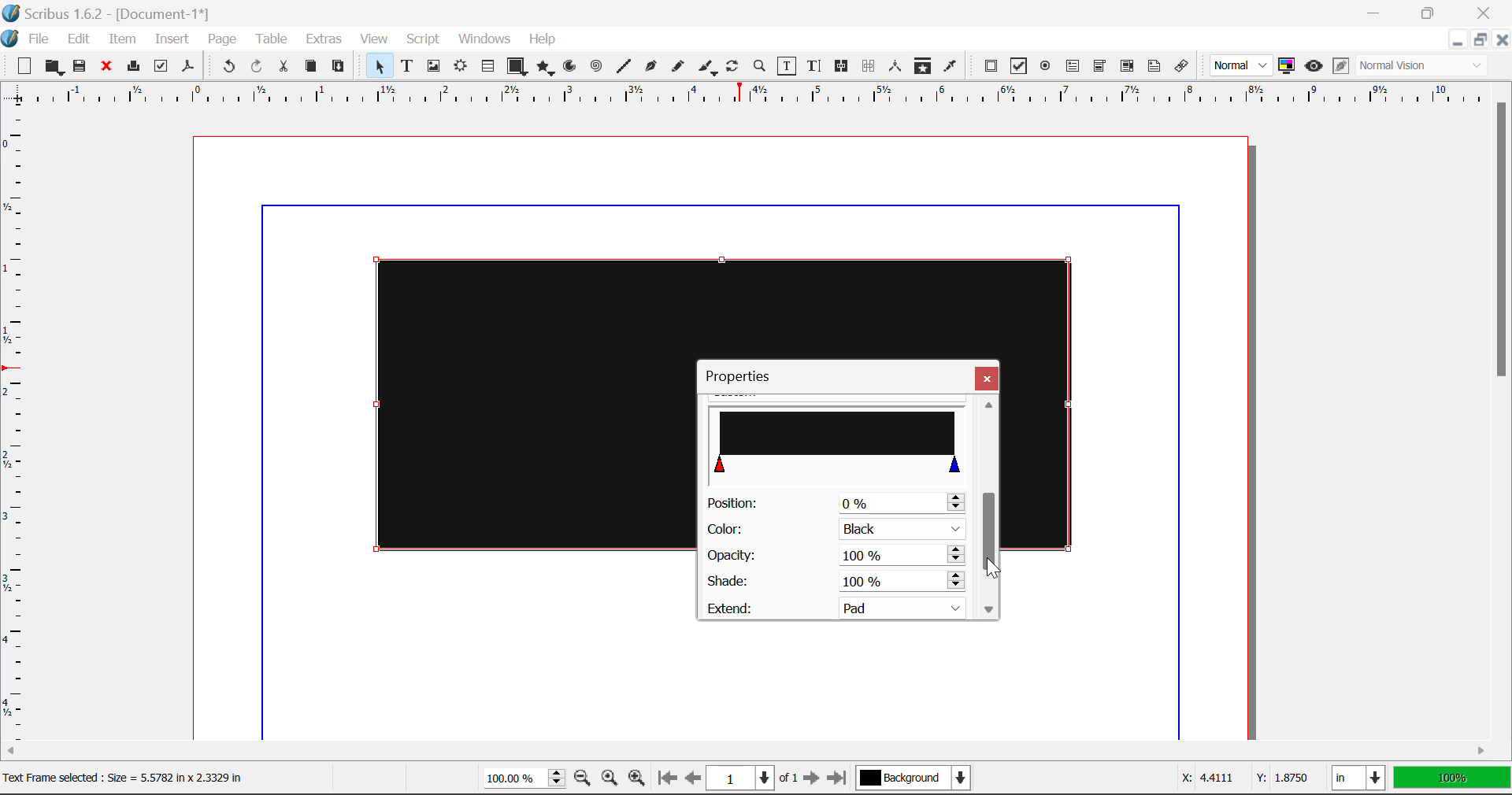 This screenshot has width=1512, height=795. I want to click on Spirals, so click(595, 68).